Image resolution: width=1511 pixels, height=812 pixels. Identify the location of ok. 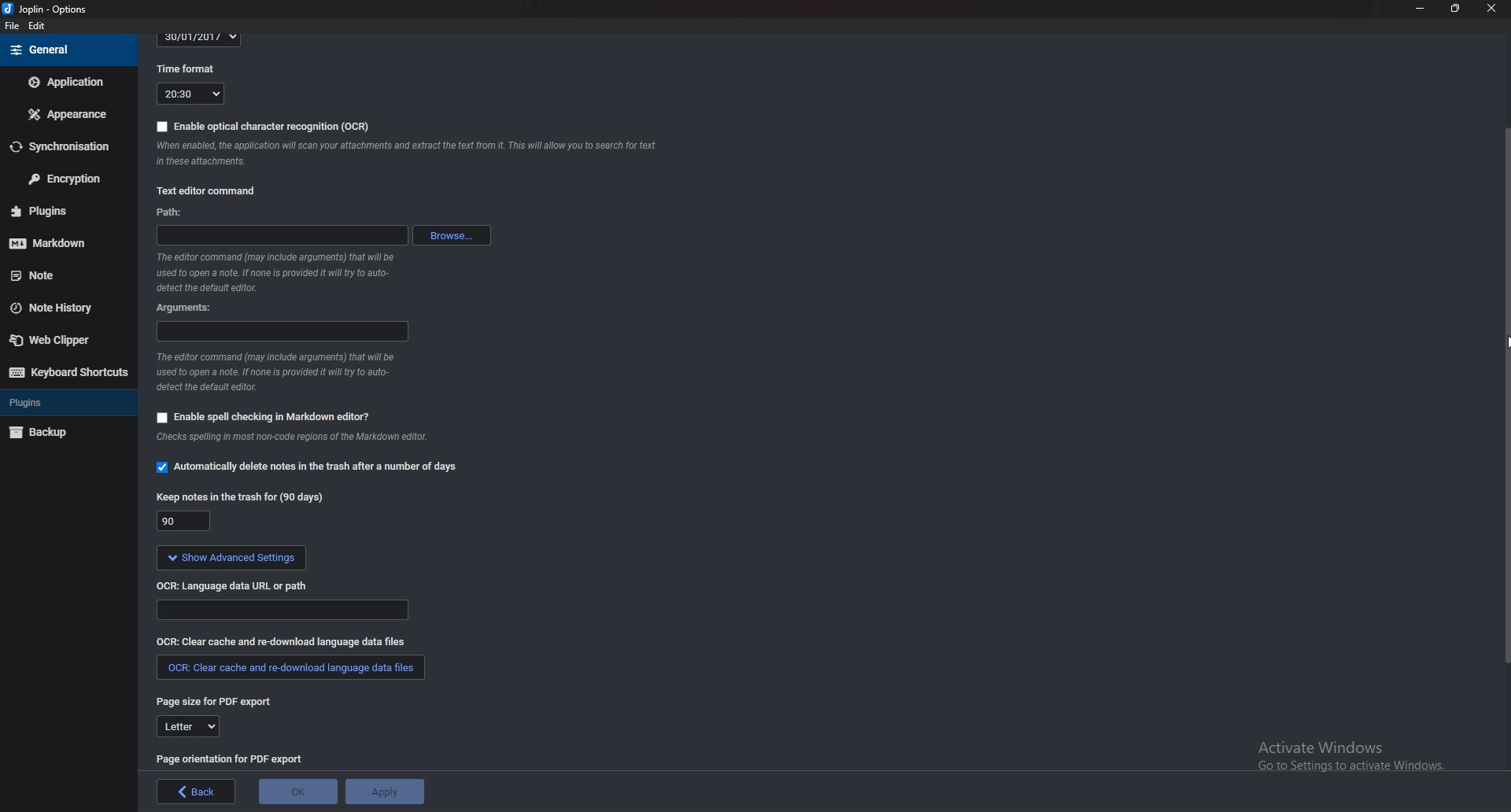
(300, 792).